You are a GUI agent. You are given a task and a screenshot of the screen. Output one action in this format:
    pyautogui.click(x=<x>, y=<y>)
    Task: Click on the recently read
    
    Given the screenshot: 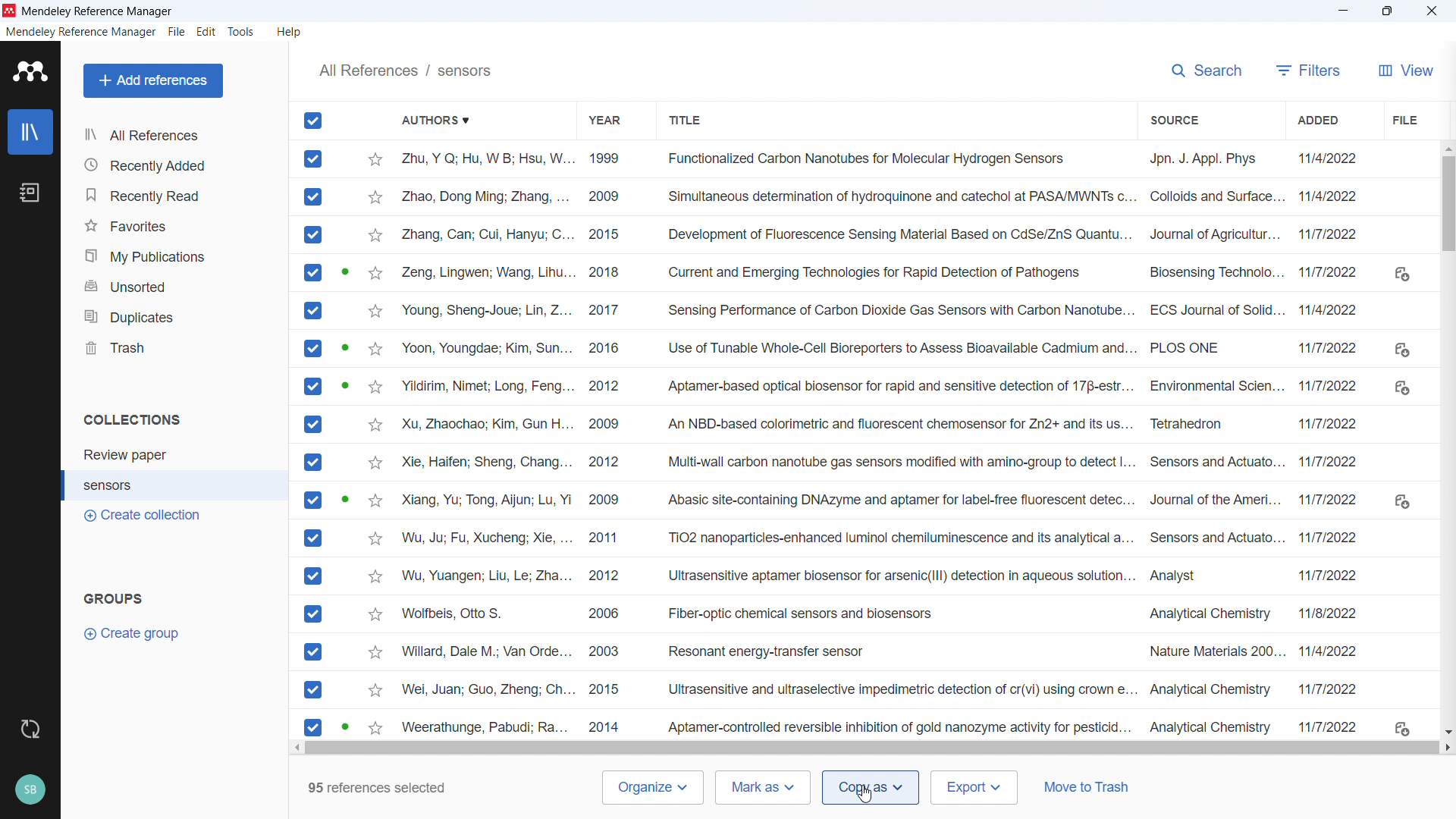 What is the action you would take?
    pyautogui.click(x=174, y=196)
    